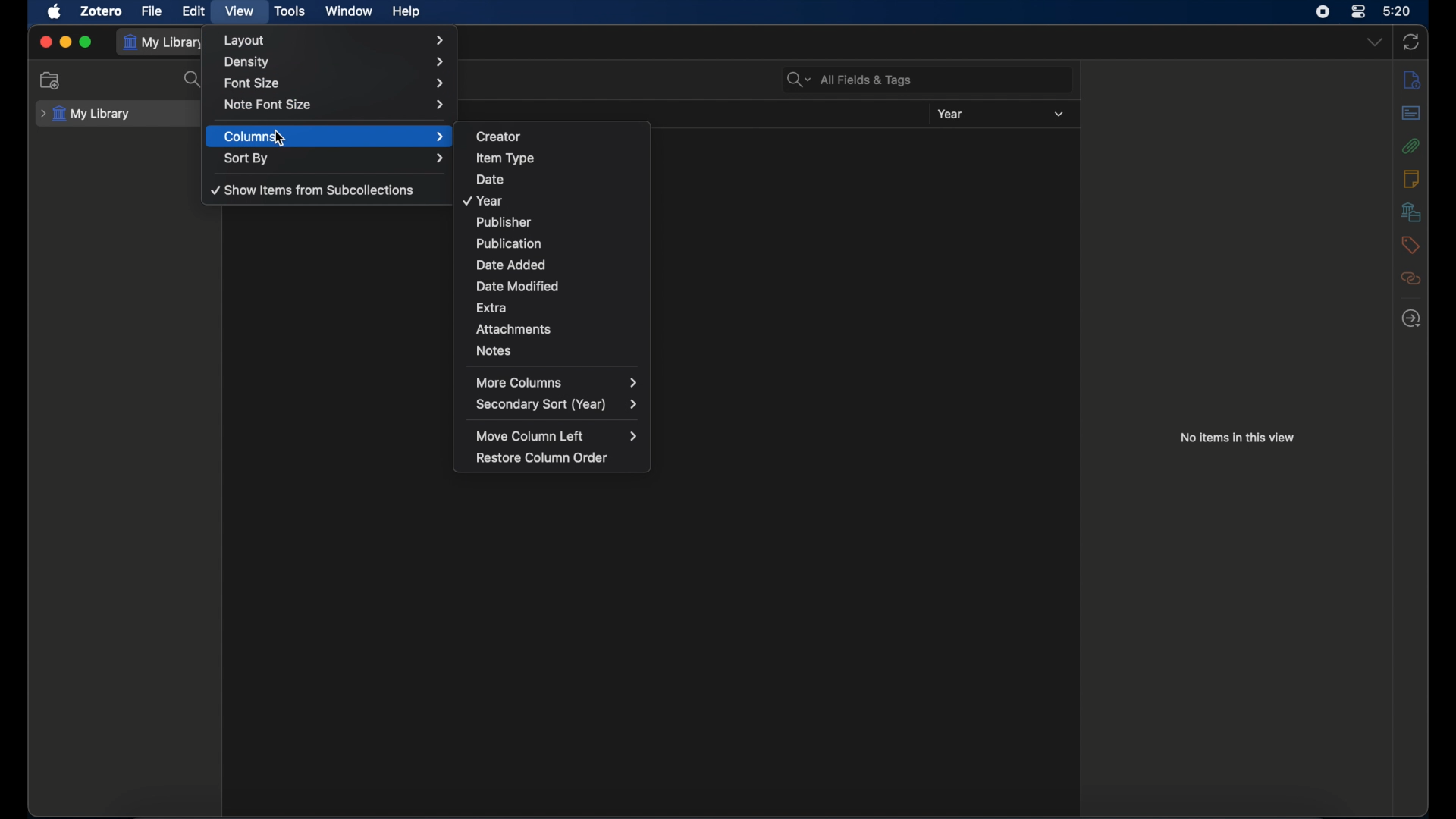 The image size is (1456, 819). Describe the element at coordinates (849, 80) in the screenshot. I see `search bar` at that location.